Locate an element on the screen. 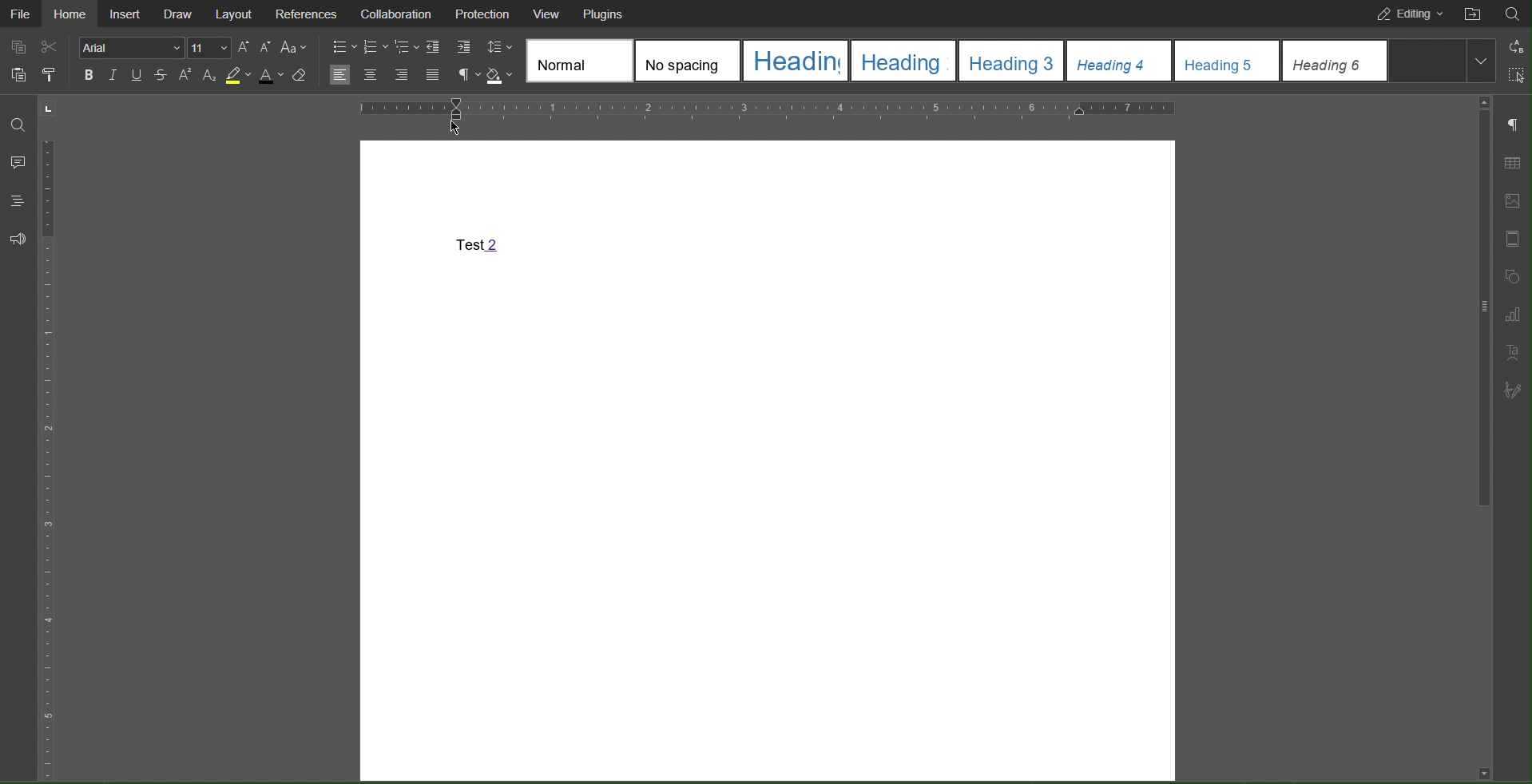  Graph Settings is located at coordinates (1518, 312).